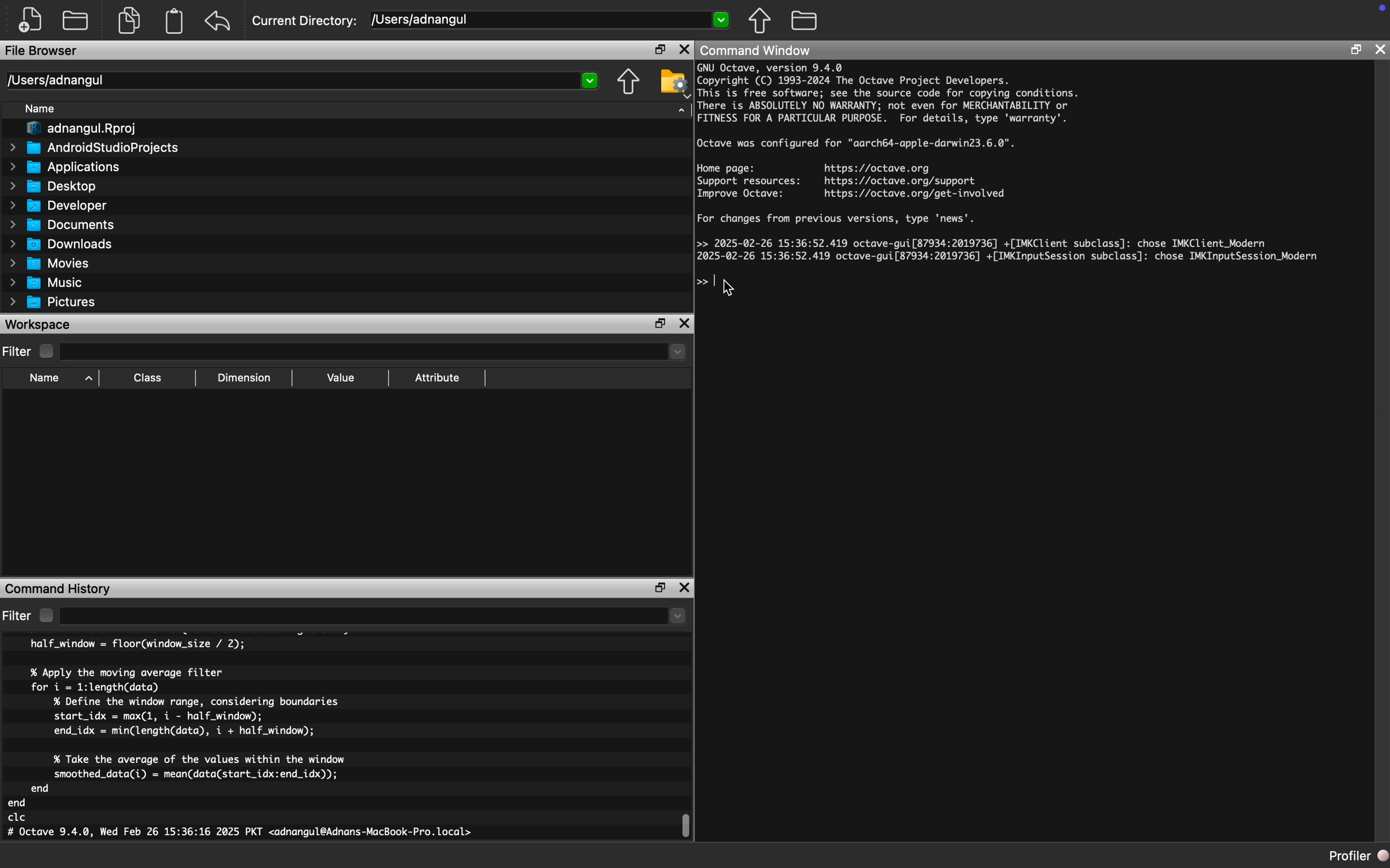 Image resolution: width=1390 pixels, height=868 pixels. Describe the element at coordinates (47, 615) in the screenshot. I see `Checkbox` at that location.